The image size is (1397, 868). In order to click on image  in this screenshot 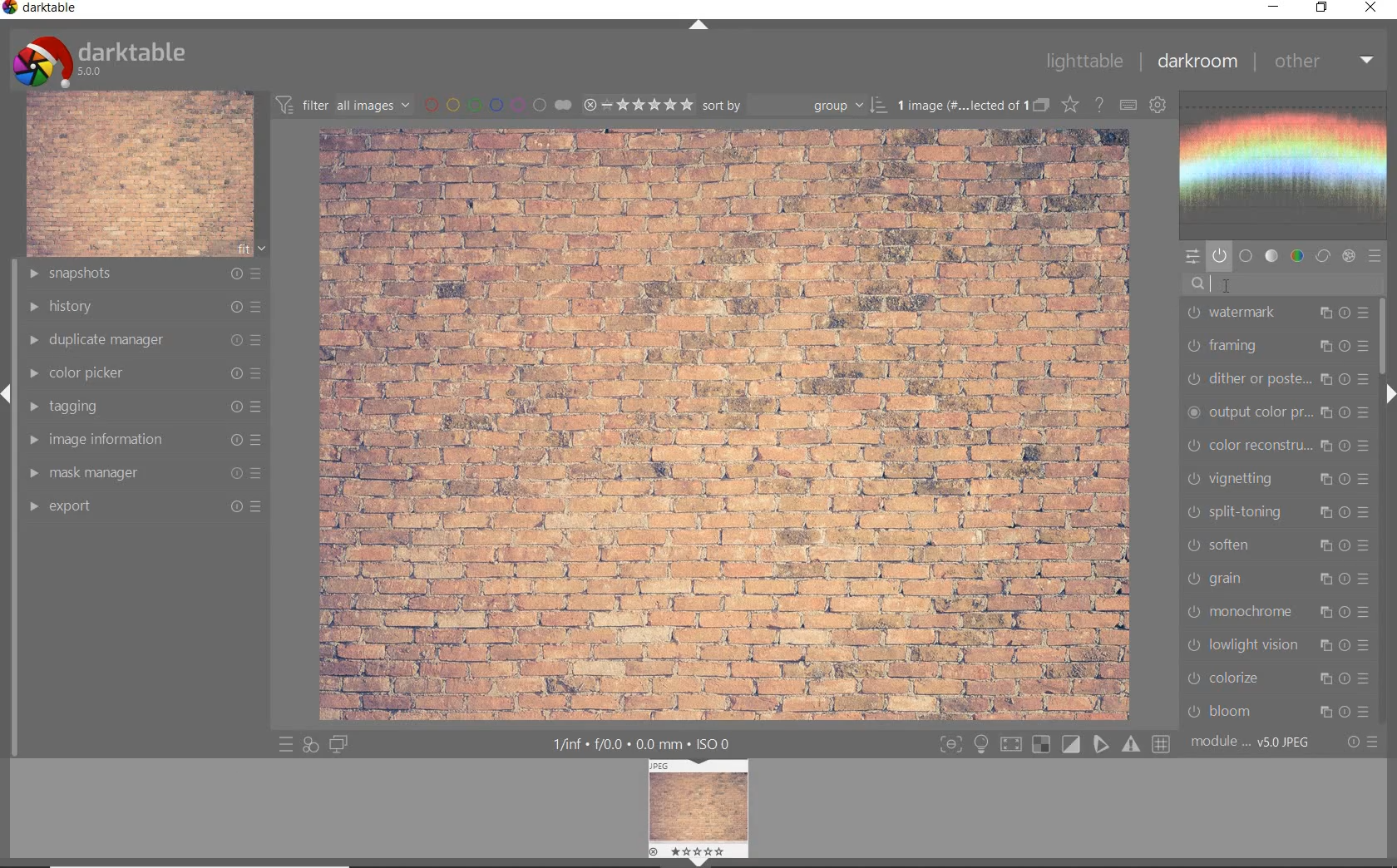, I will do `click(140, 175)`.